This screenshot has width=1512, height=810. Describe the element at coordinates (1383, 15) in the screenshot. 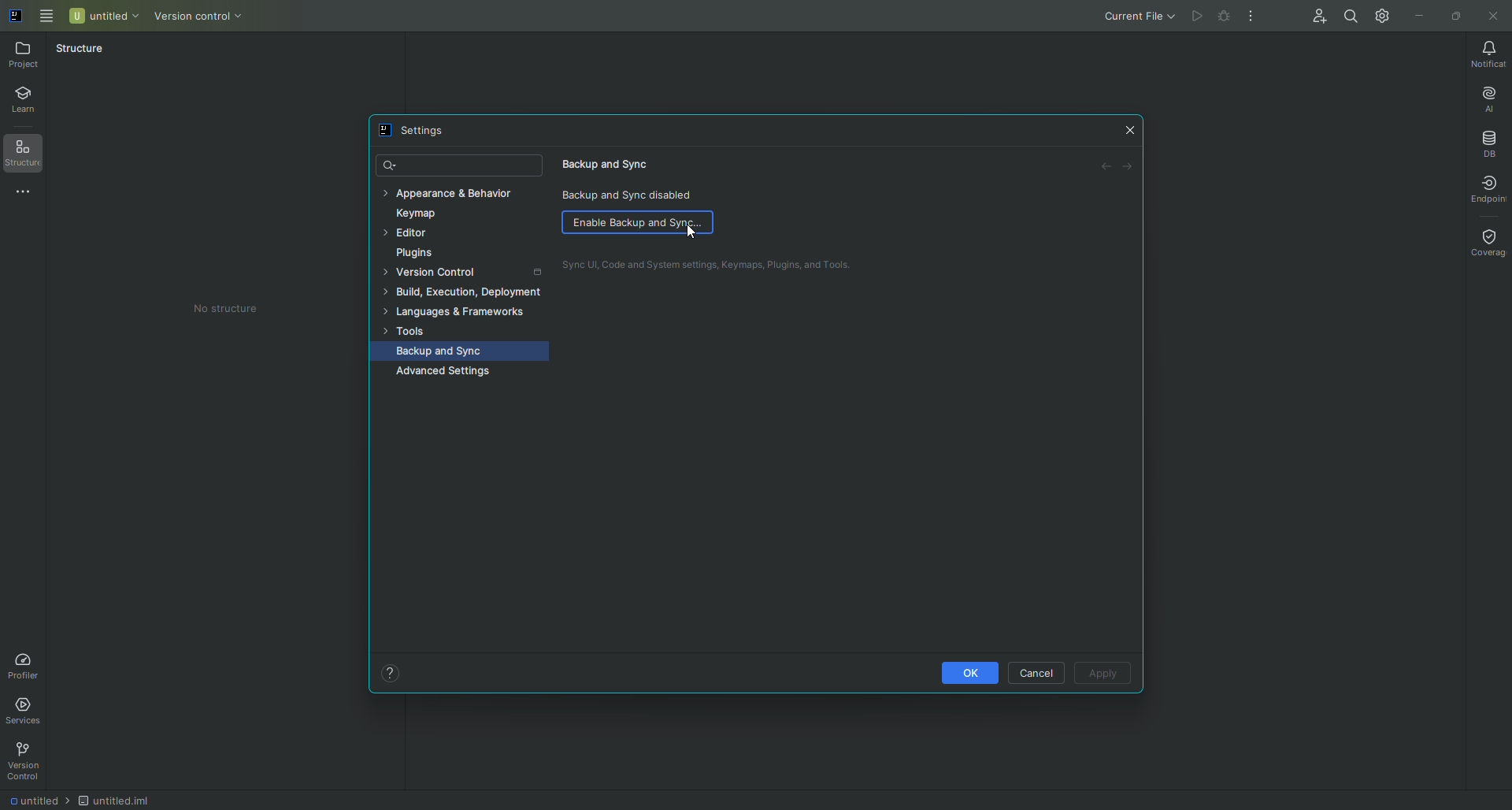

I see `Updates and Settings` at that location.